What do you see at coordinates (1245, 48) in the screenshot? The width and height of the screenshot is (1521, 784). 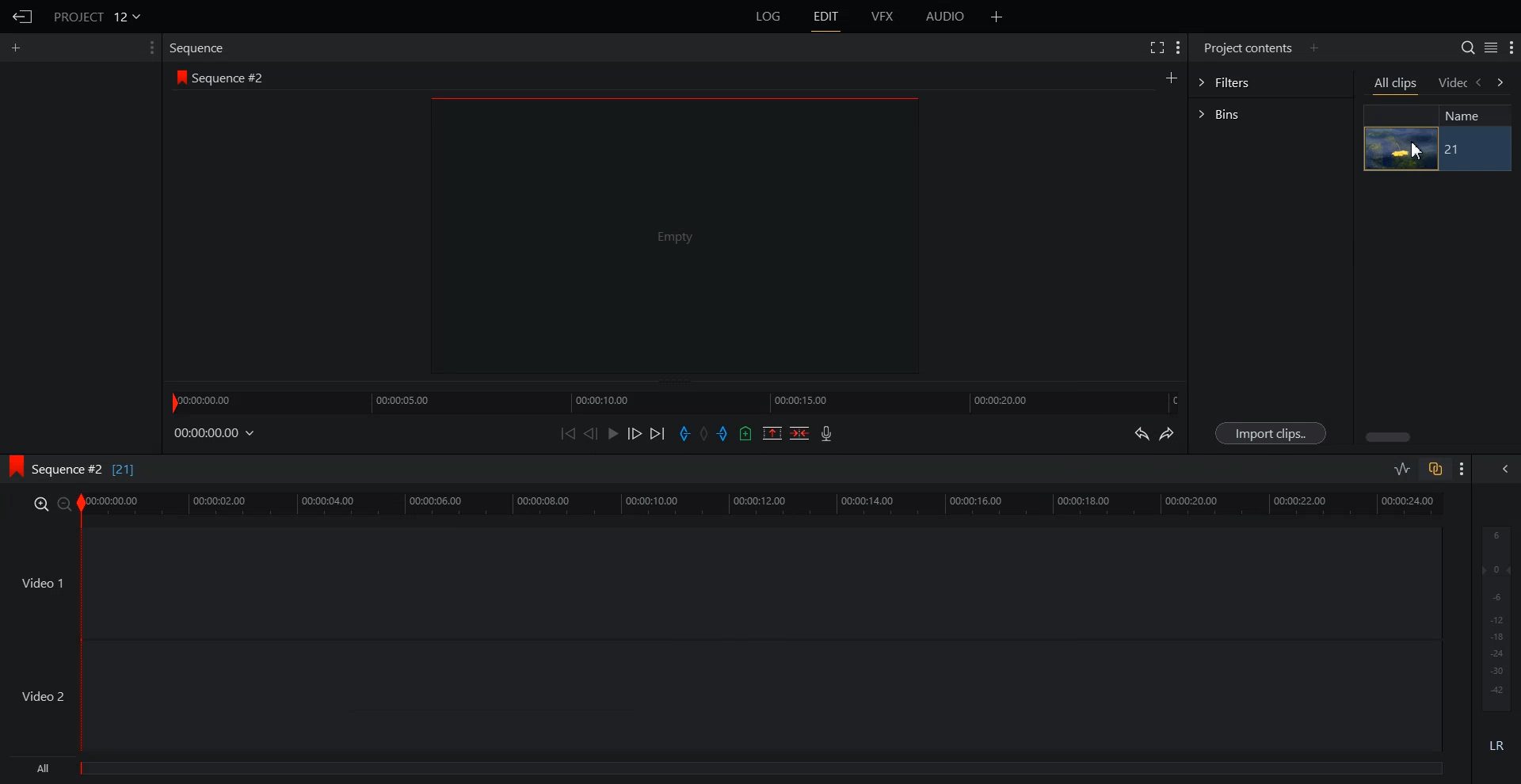 I see `Project contents` at bounding box center [1245, 48].